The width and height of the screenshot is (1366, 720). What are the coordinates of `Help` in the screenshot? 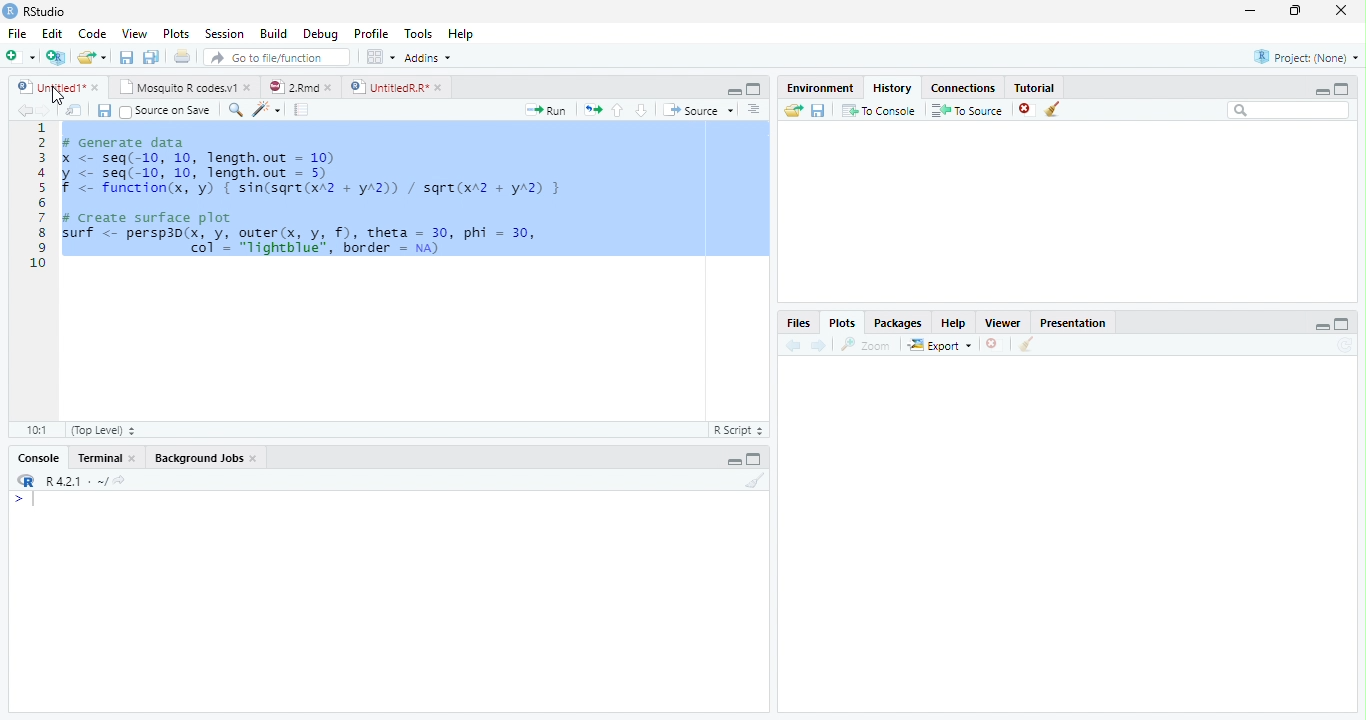 It's located at (460, 33).